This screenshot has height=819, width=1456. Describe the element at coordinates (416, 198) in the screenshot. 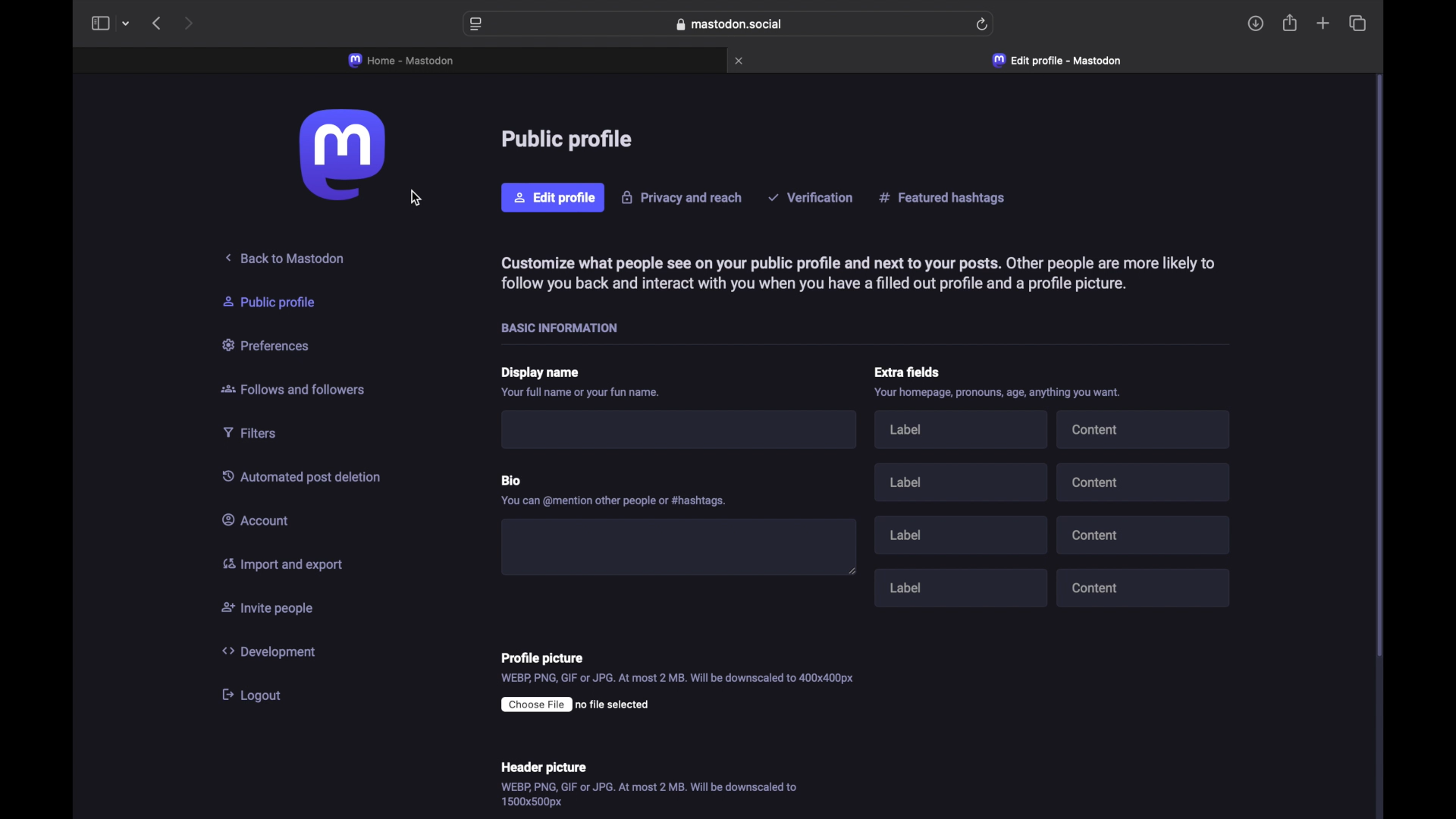

I see `cursor` at that location.